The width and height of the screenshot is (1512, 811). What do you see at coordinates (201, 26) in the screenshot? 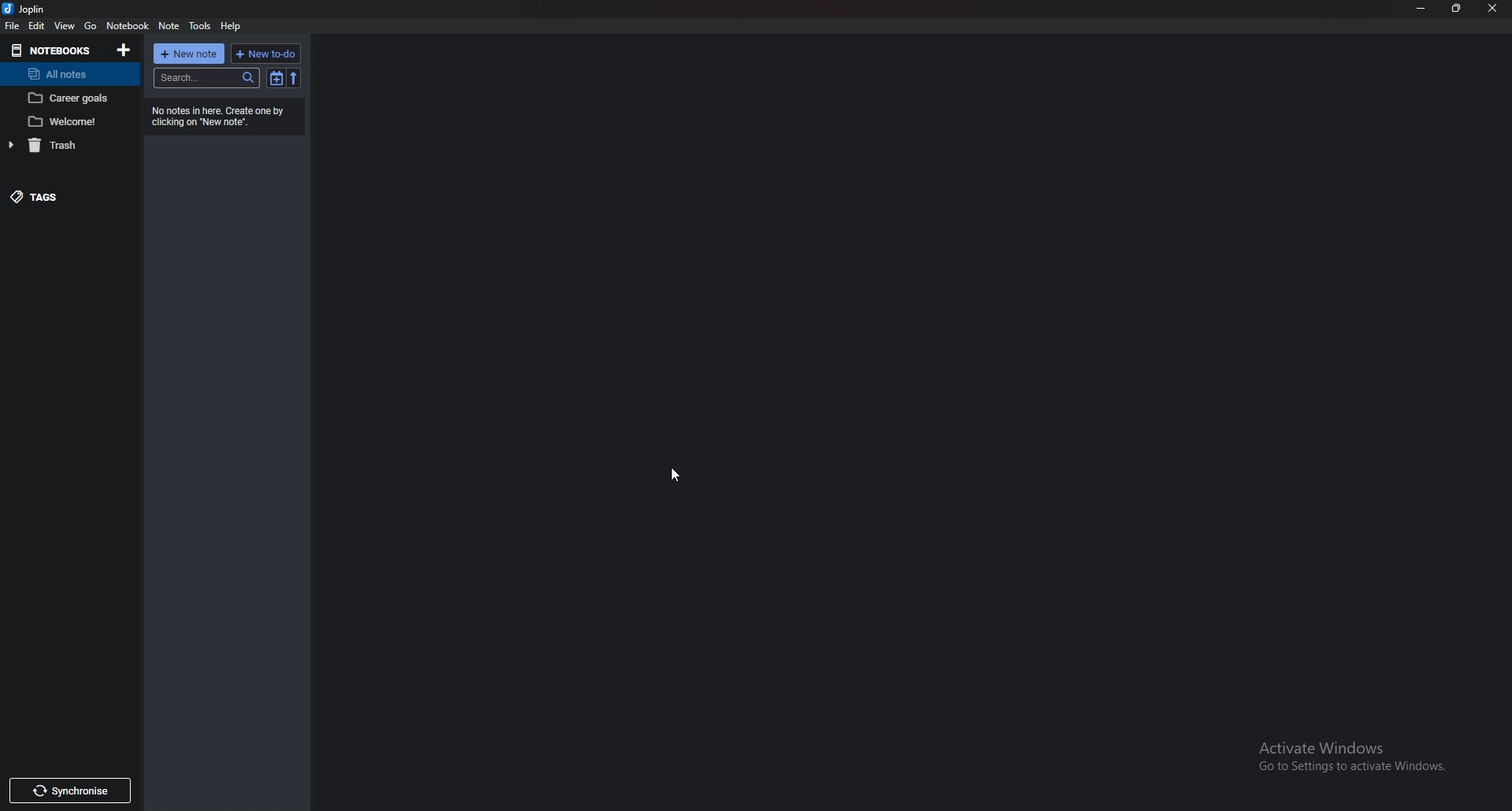
I see `tools` at bounding box center [201, 26].